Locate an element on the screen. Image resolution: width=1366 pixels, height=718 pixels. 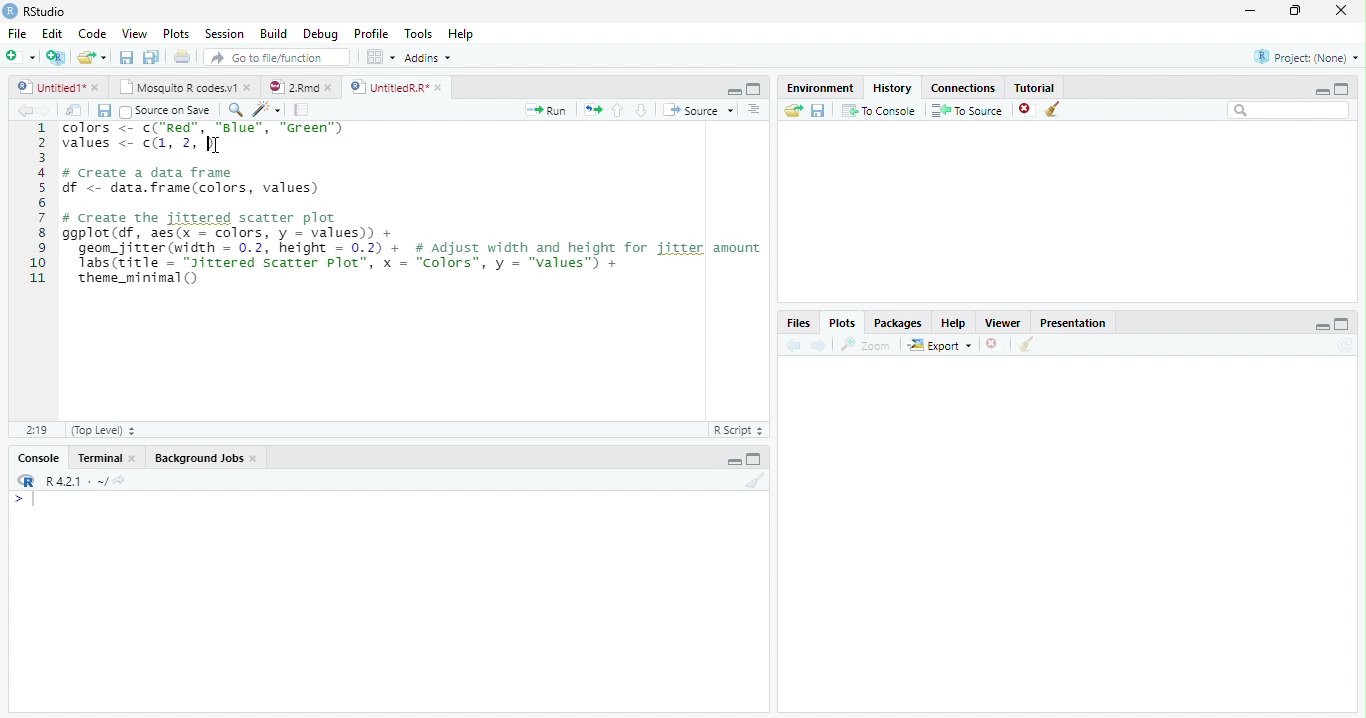
Code tools is located at coordinates (268, 110).